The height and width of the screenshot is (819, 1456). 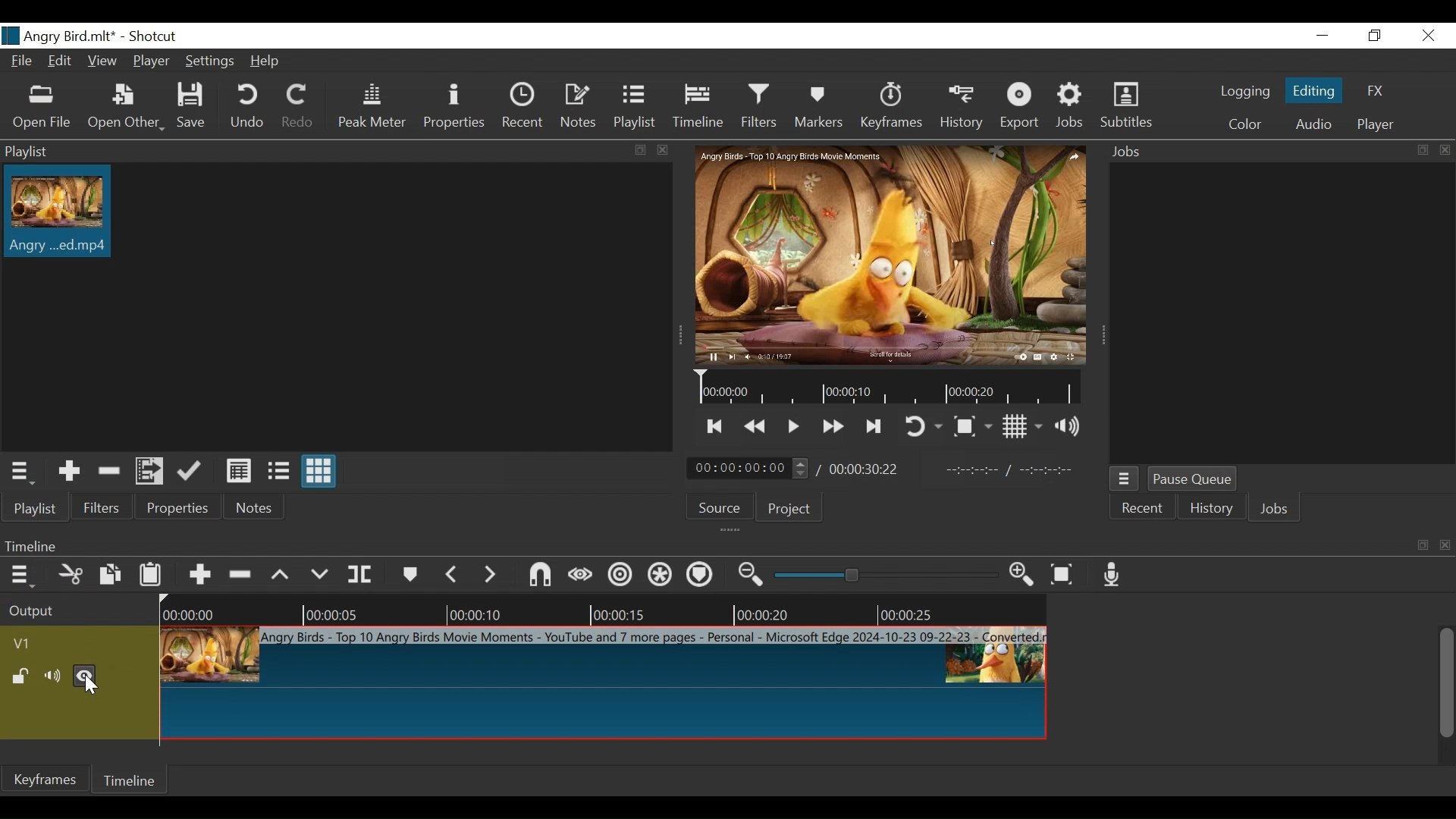 What do you see at coordinates (1373, 36) in the screenshot?
I see `Restore` at bounding box center [1373, 36].